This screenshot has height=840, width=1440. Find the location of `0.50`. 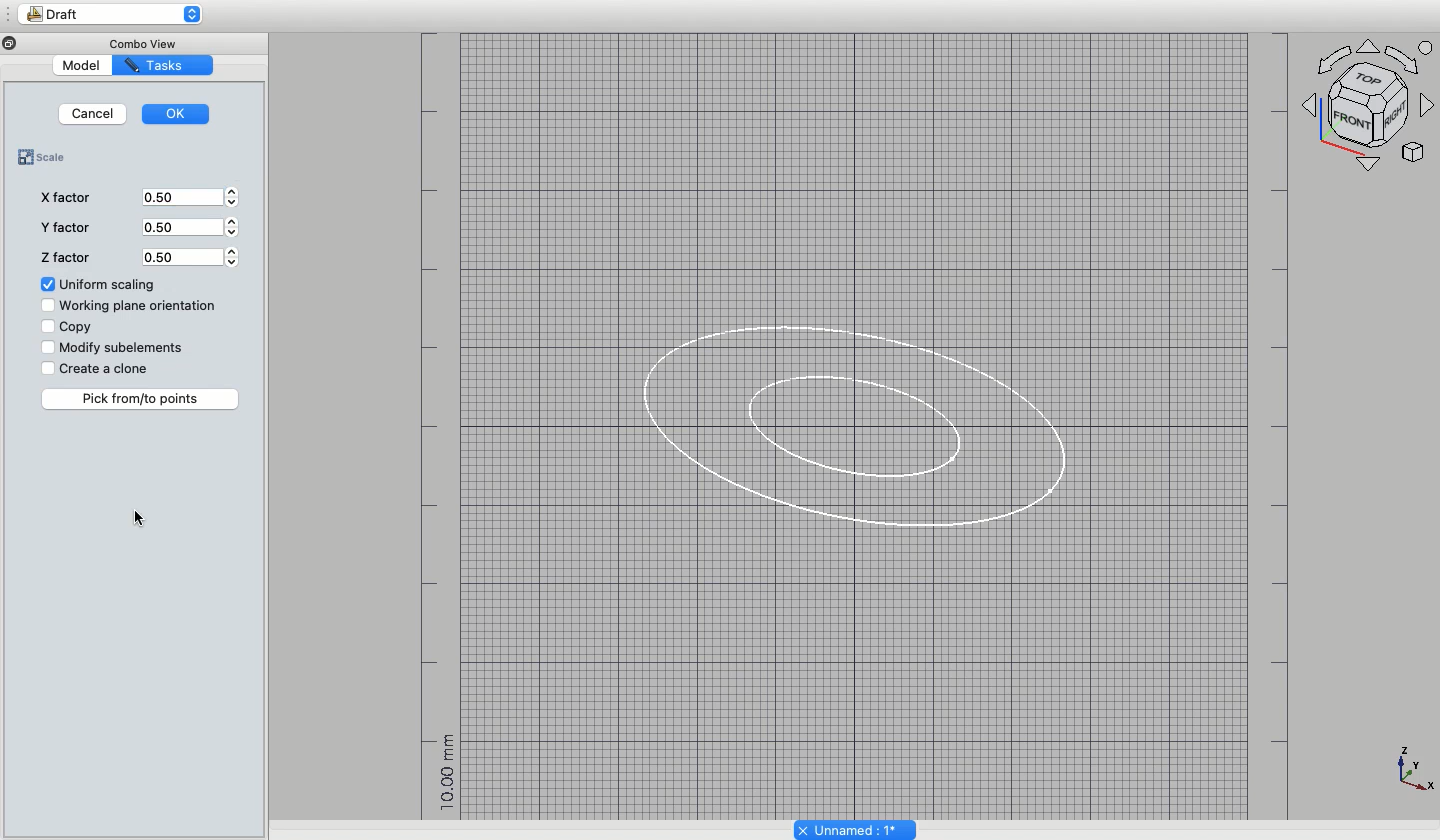

0.50 is located at coordinates (190, 200).